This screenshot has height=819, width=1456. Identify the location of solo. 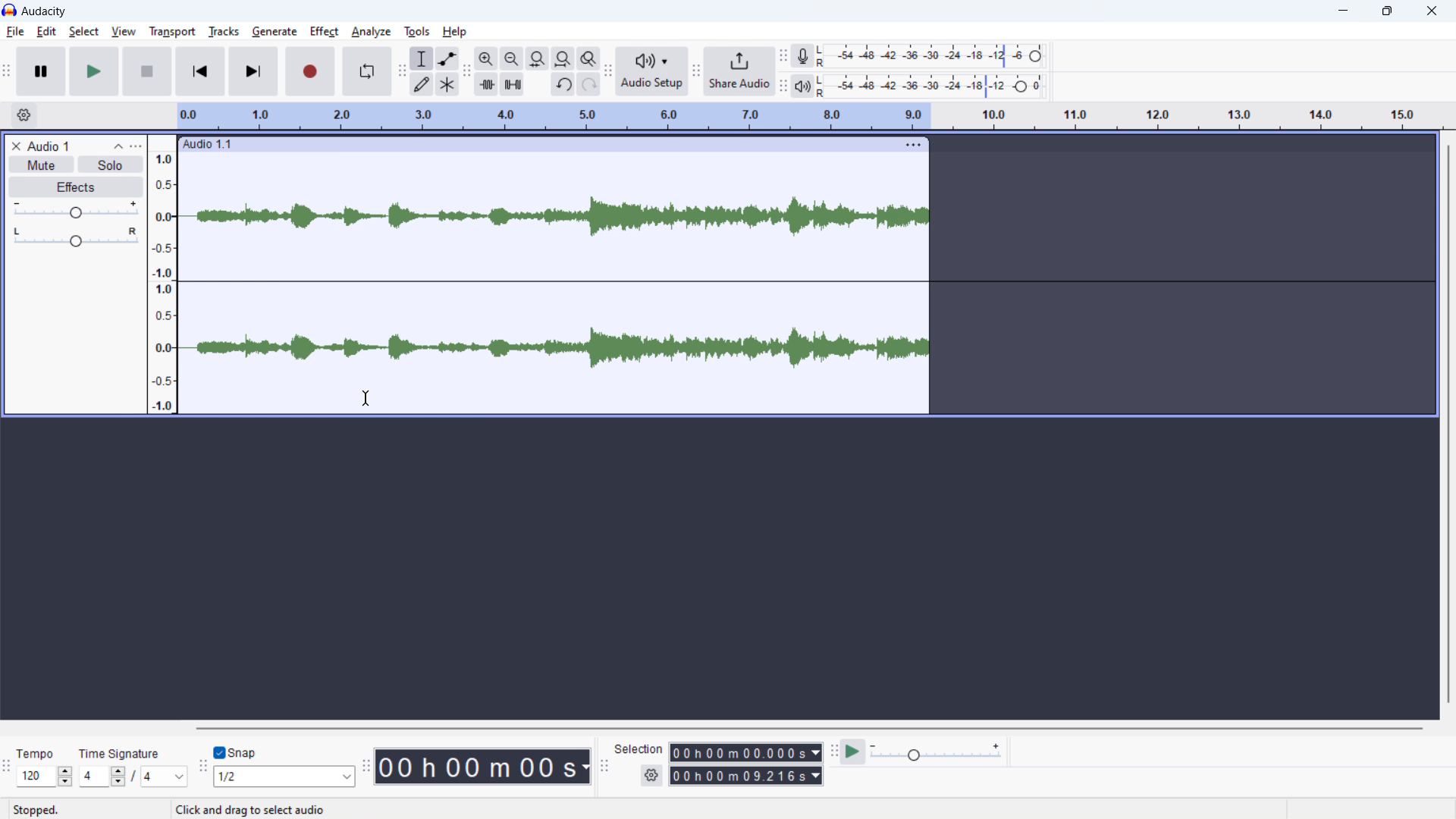
(111, 164).